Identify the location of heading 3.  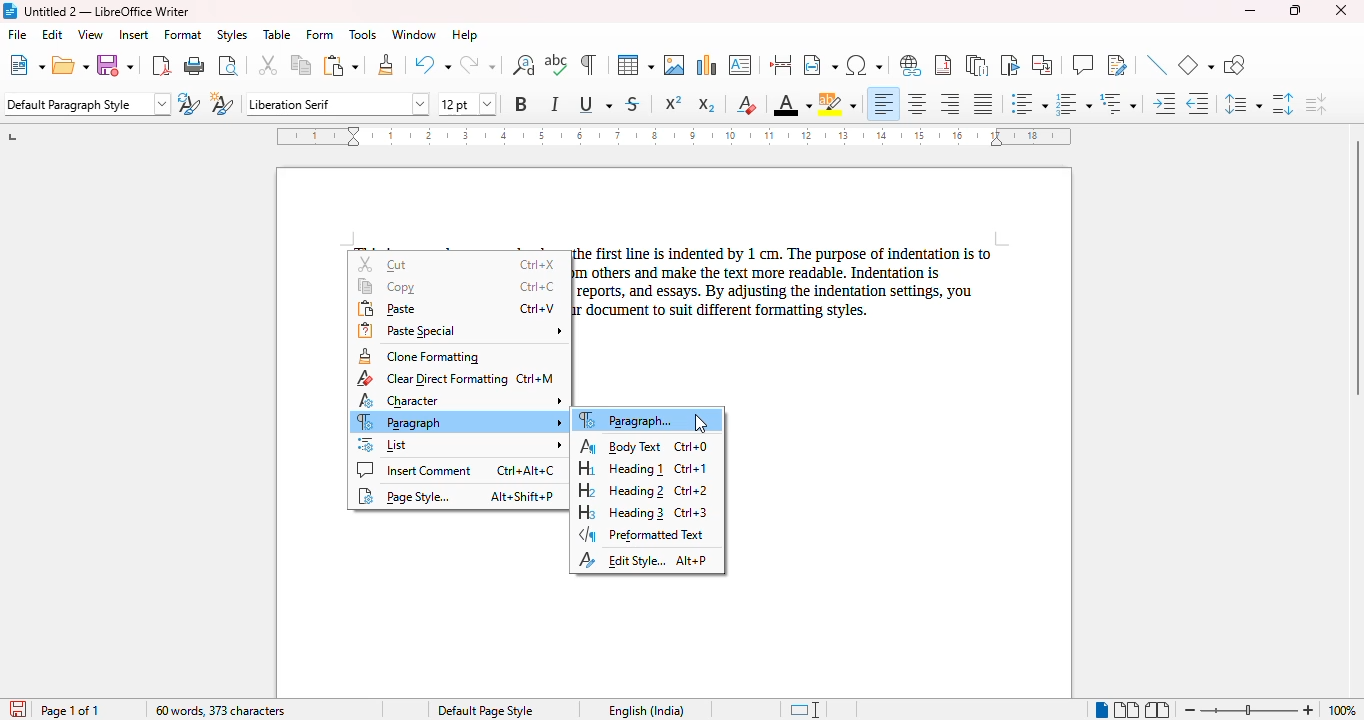
(642, 512).